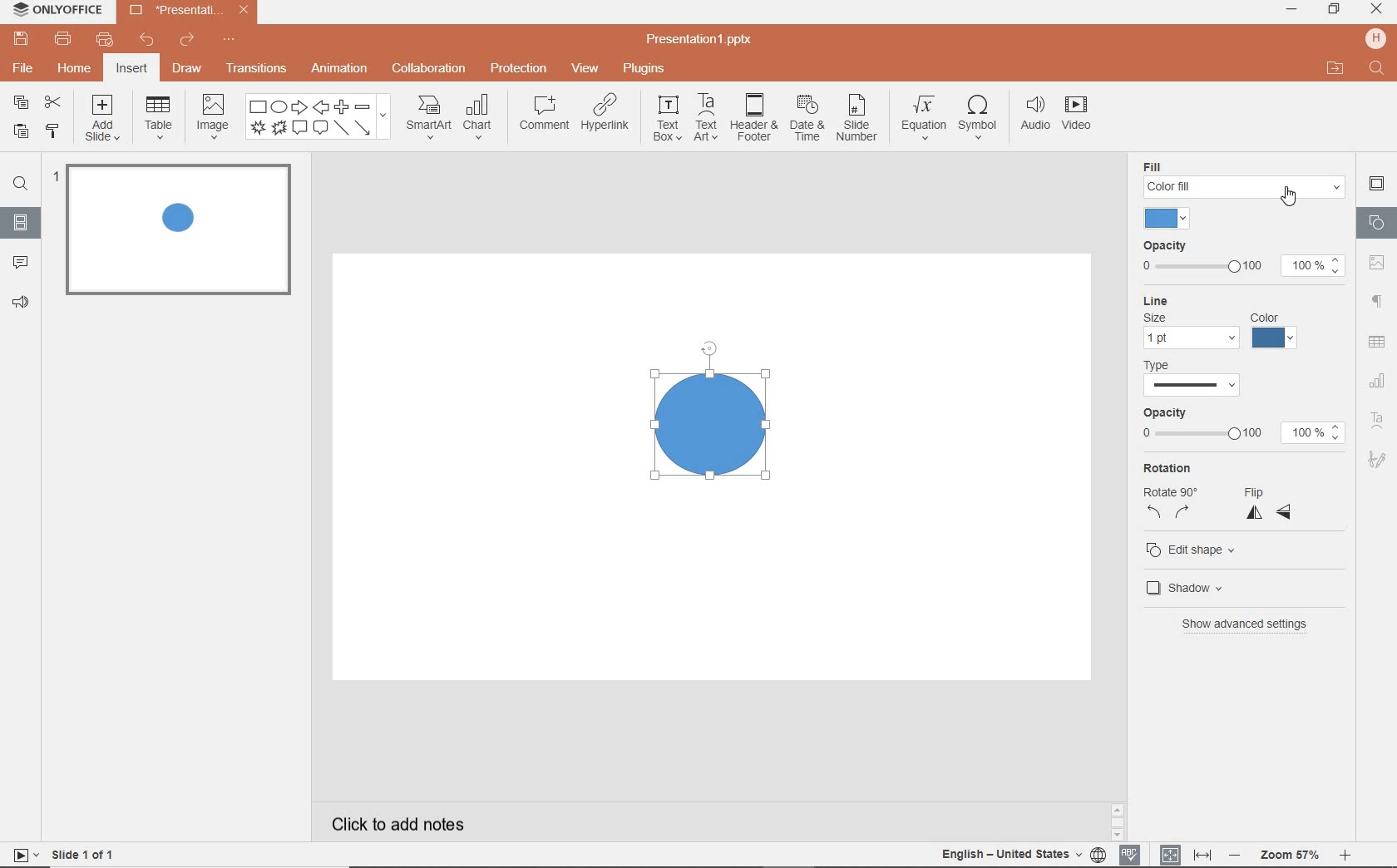 Image resolution: width=1397 pixels, height=868 pixels. I want to click on shape, so click(709, 412).